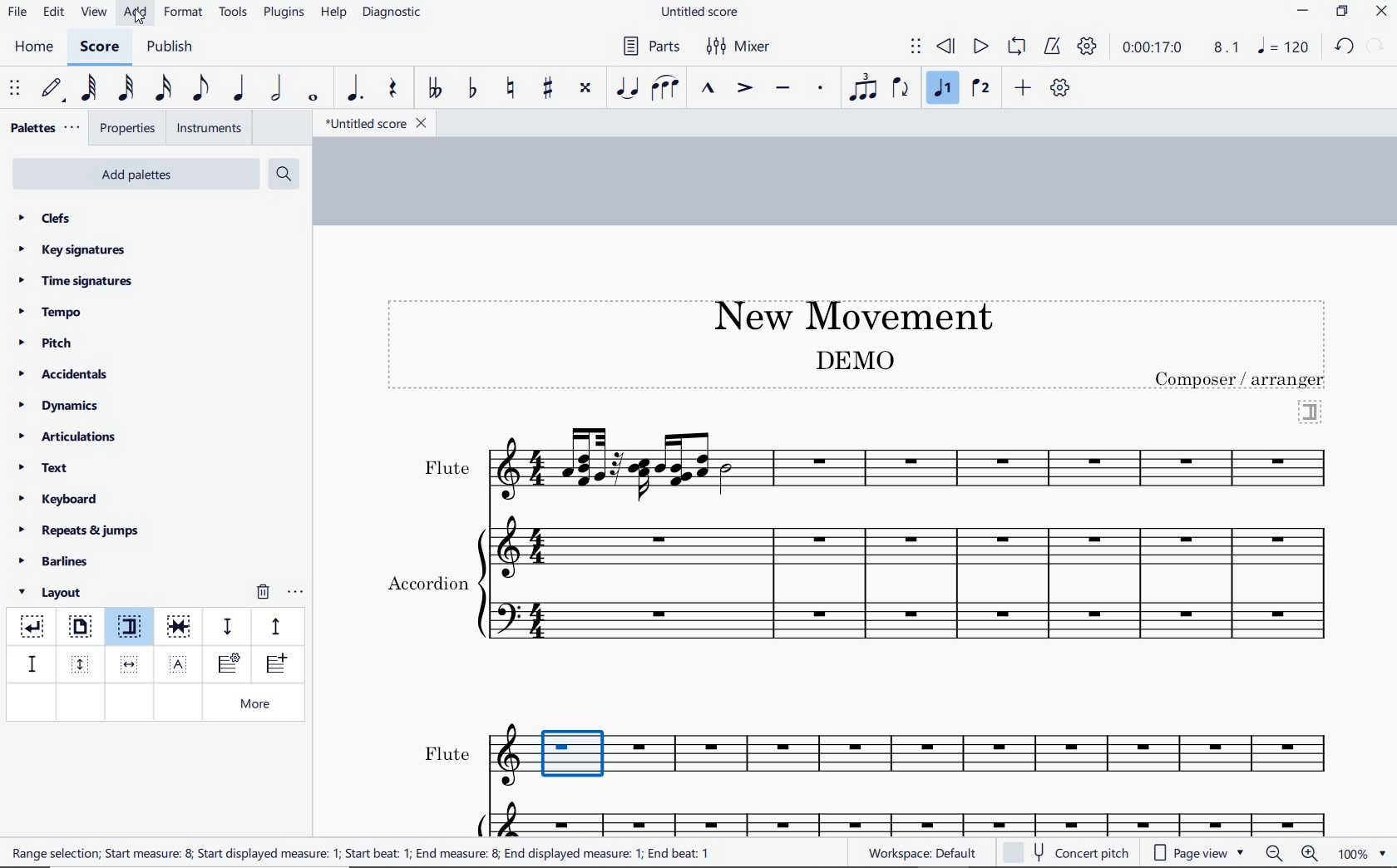 The height and width of the screenshot is (868, 1397). I want to click on add, so click(1025, 87).